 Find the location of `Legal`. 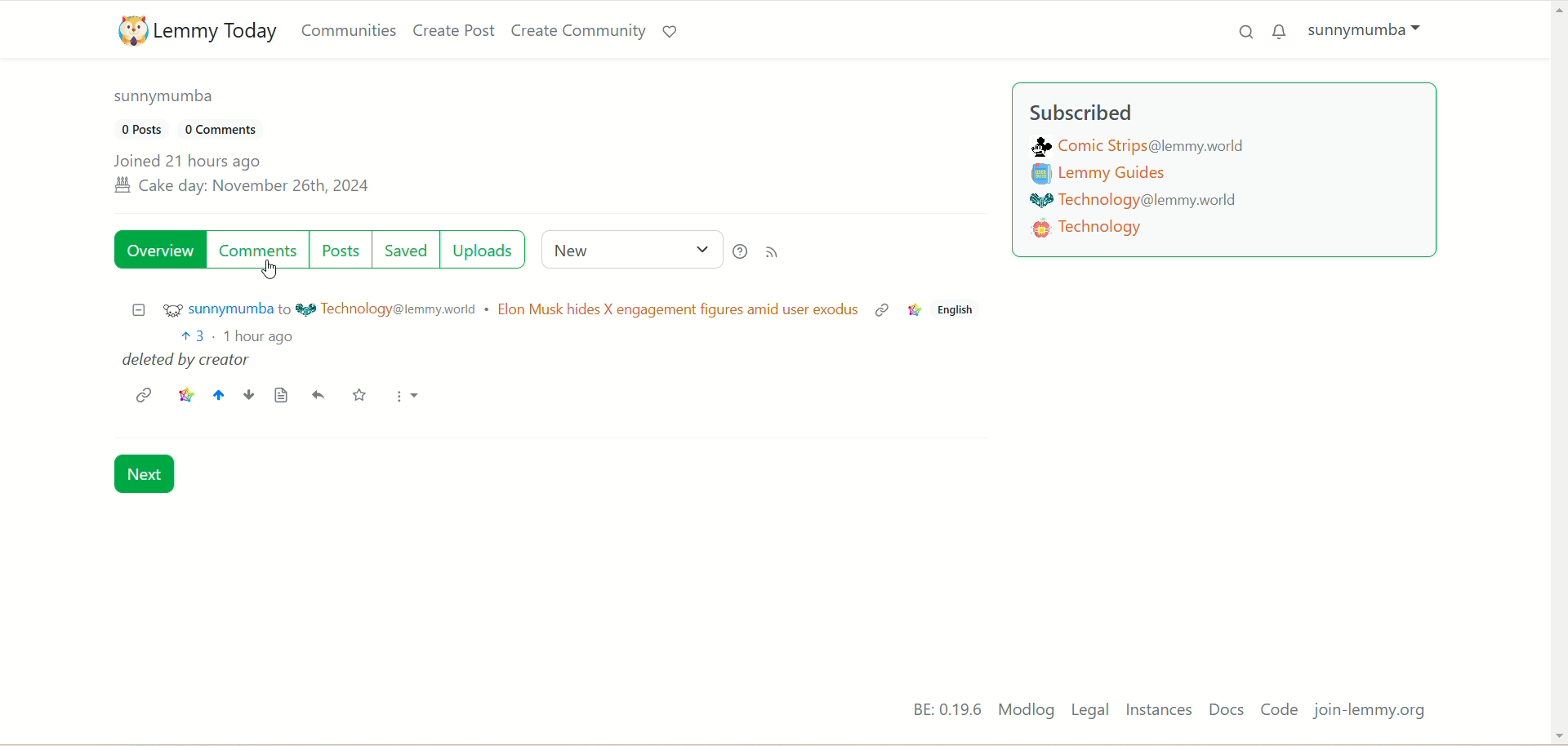

Legal is located at coordinates (1090, 711).